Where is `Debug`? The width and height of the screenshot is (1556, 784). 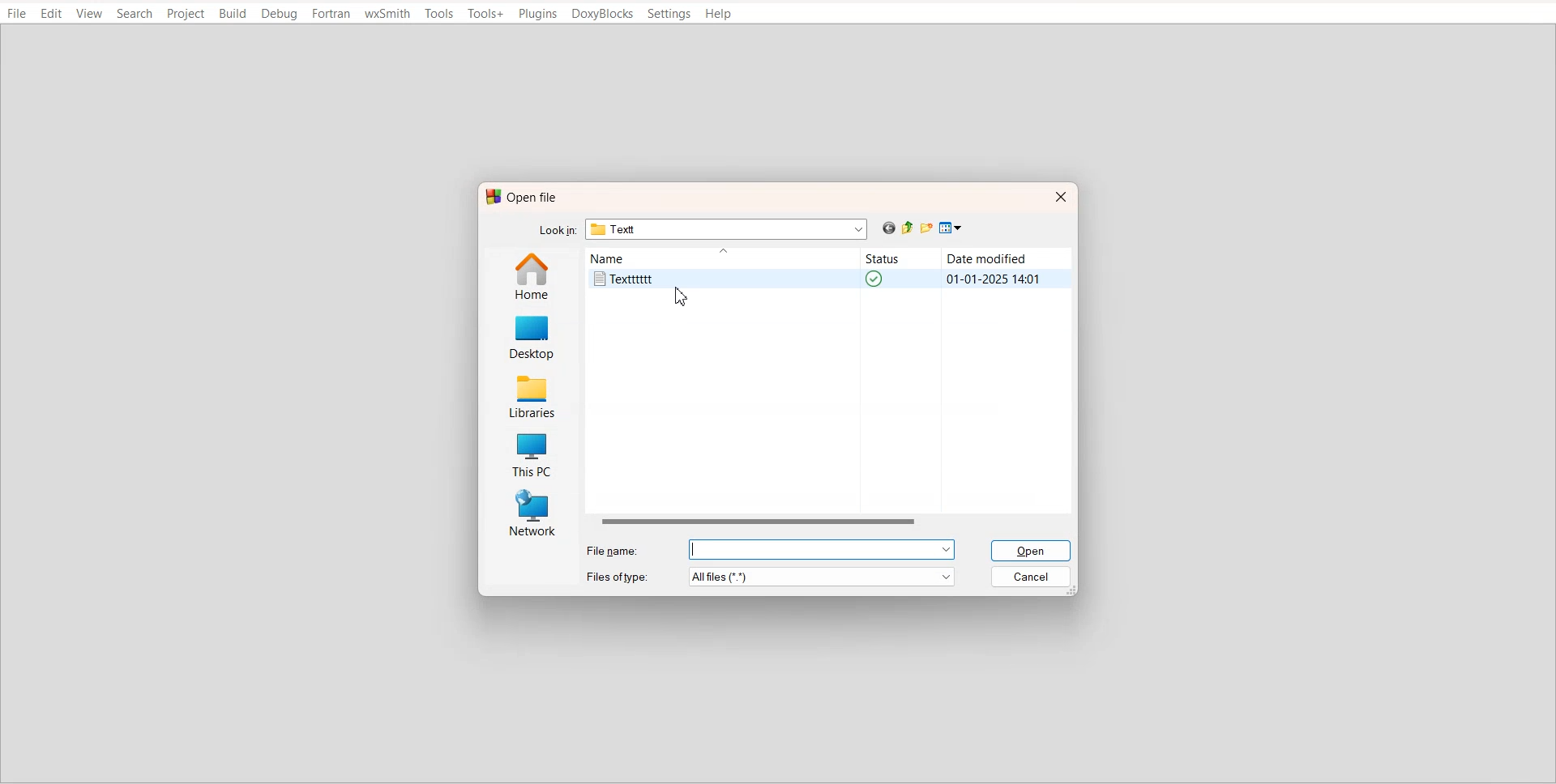 Debug is located at coordinates (279, 14).